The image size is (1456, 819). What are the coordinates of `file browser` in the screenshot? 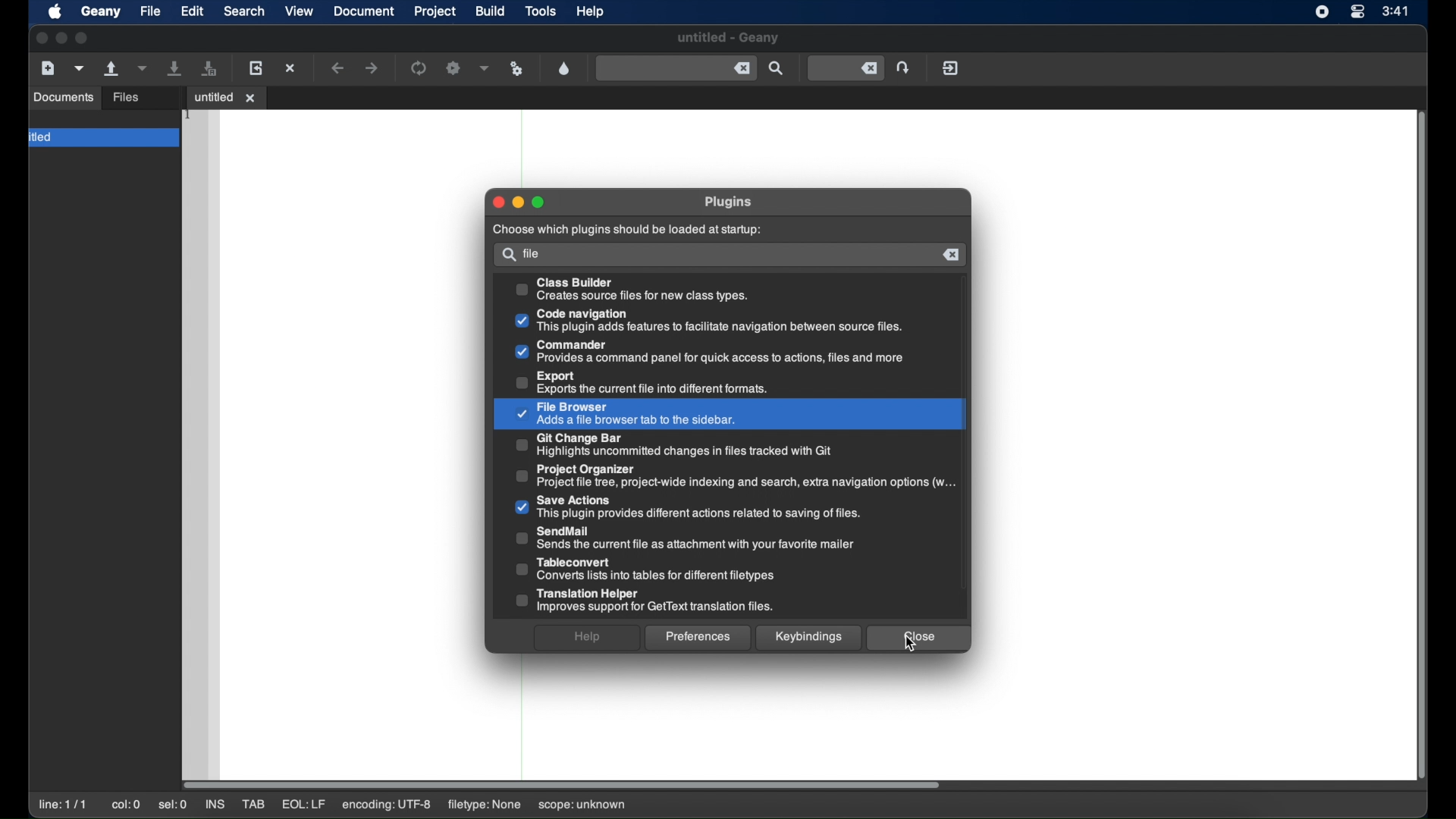 It's located at (626, 413).